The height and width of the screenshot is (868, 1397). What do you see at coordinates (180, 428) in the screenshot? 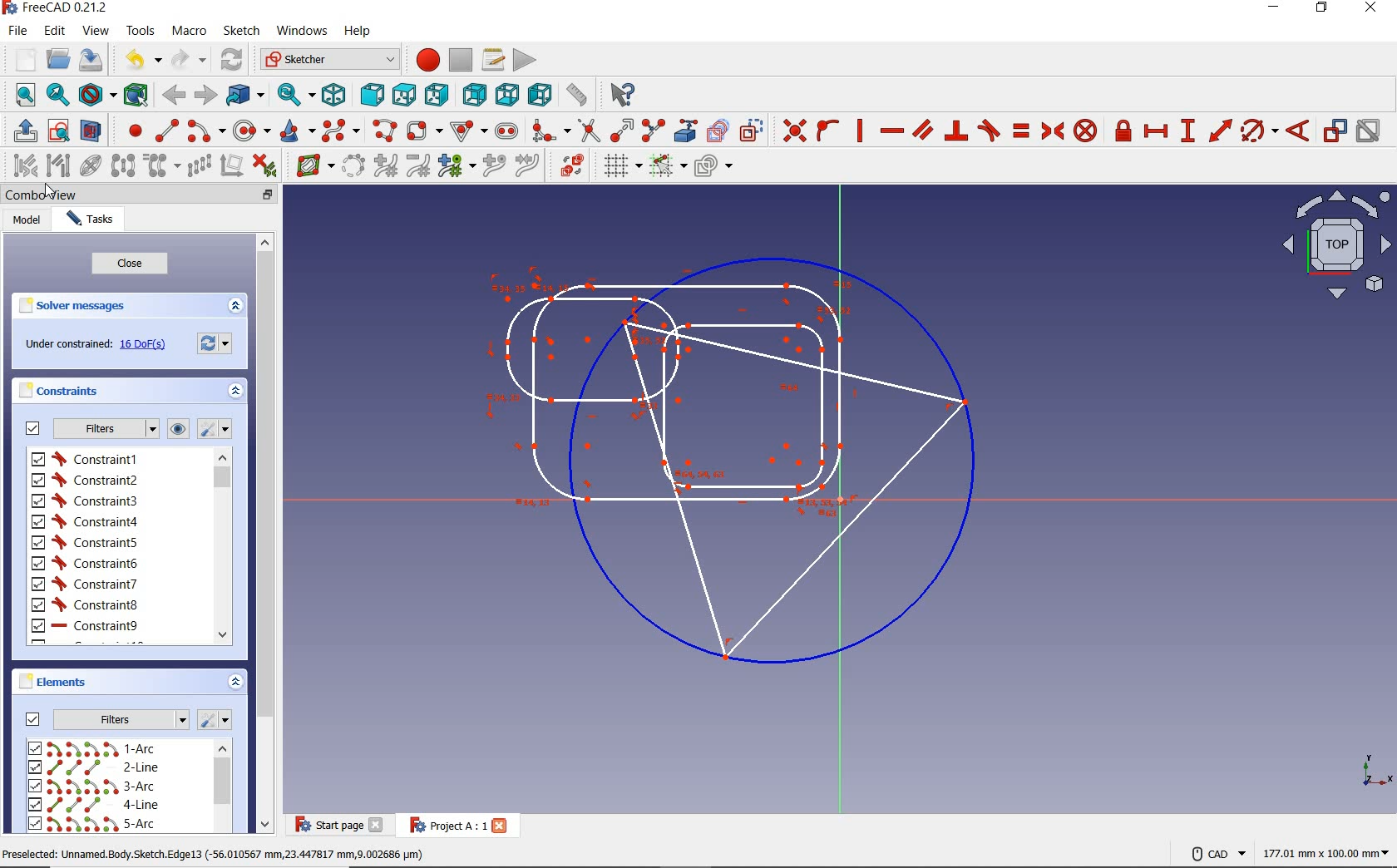
I see `show/hide all listed constraints from 3D view` at bounding box center [180, 428].